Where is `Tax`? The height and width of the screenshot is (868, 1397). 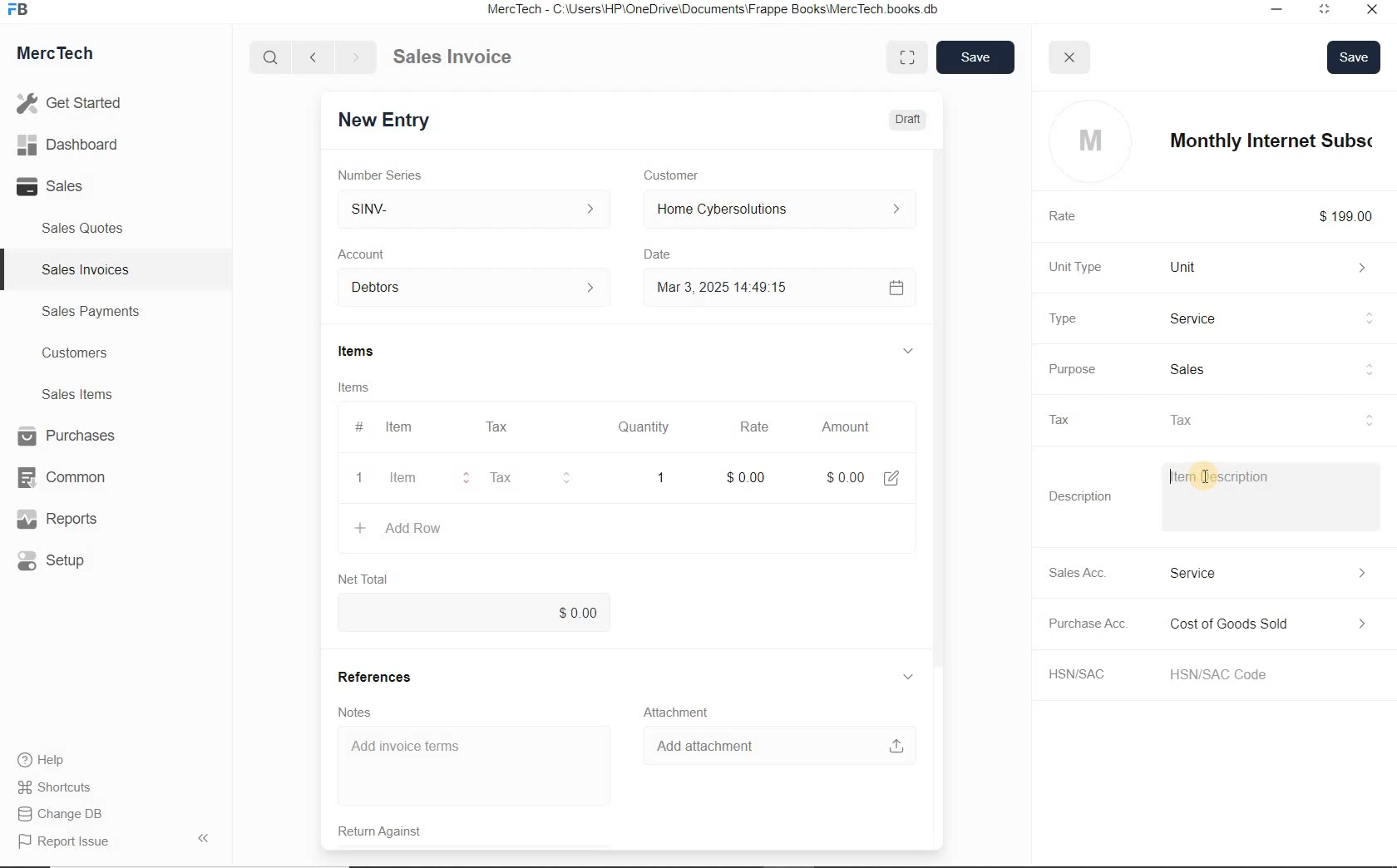
Tax is located at coordinates (1058, 419).